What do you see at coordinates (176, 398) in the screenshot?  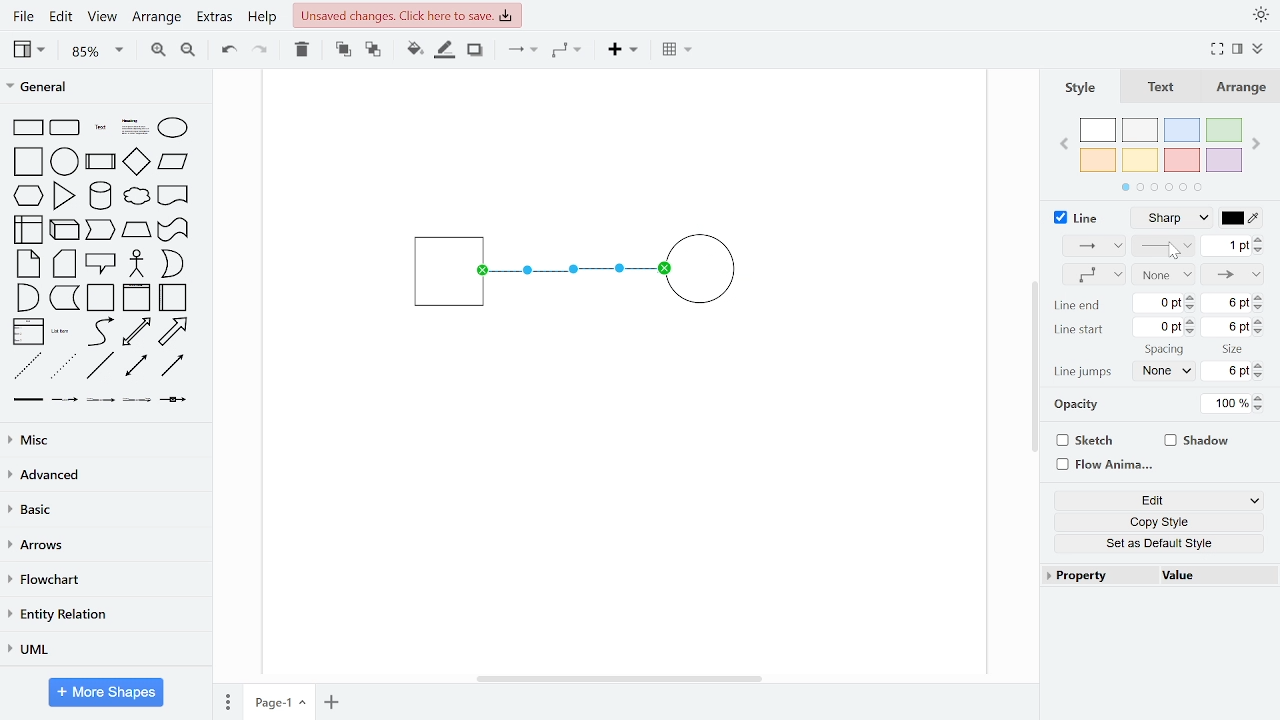 I see `connector with symbol` at bounding box center [176, 398].